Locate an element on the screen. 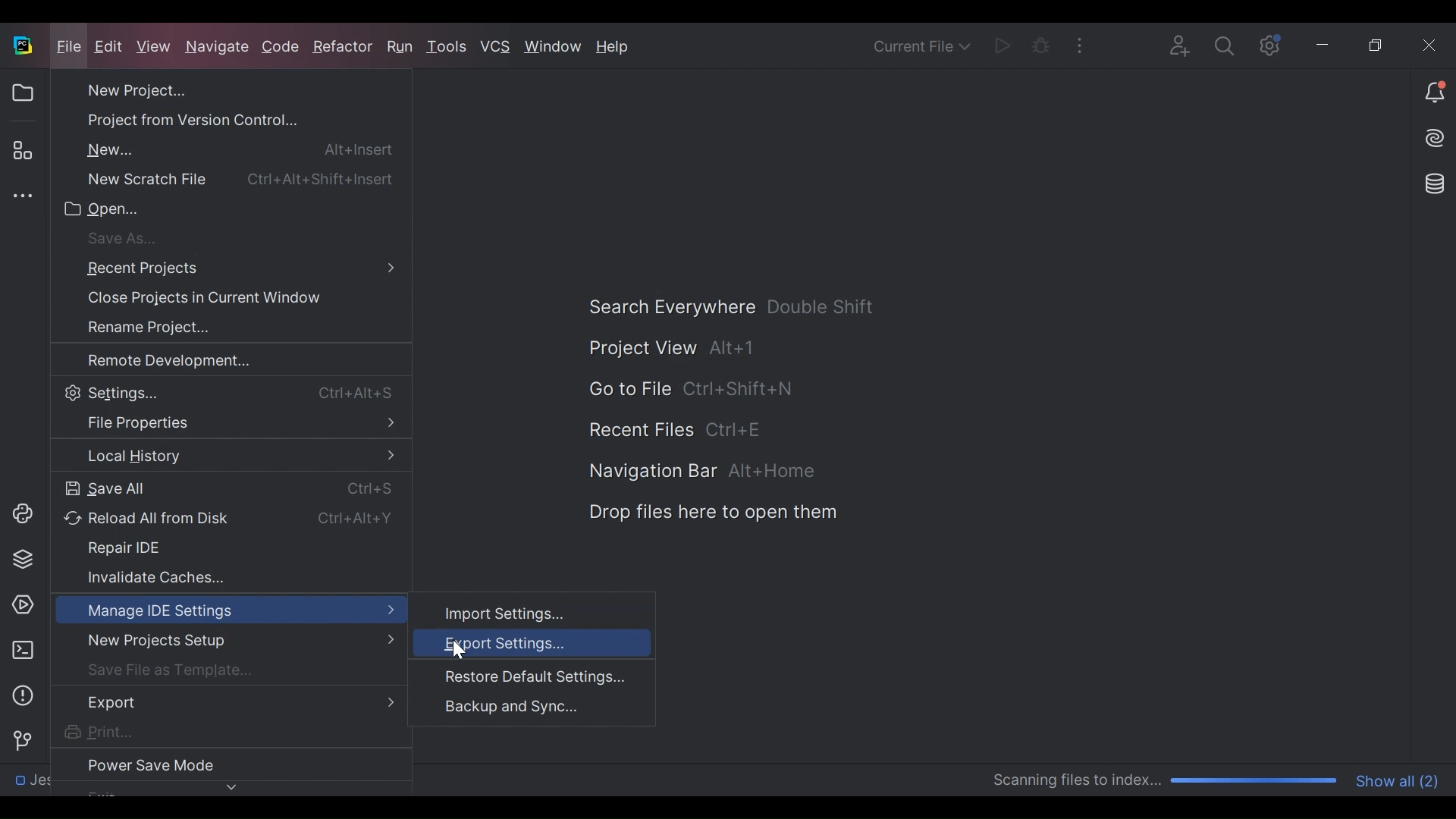  Run is located at coordinates (402, 47).